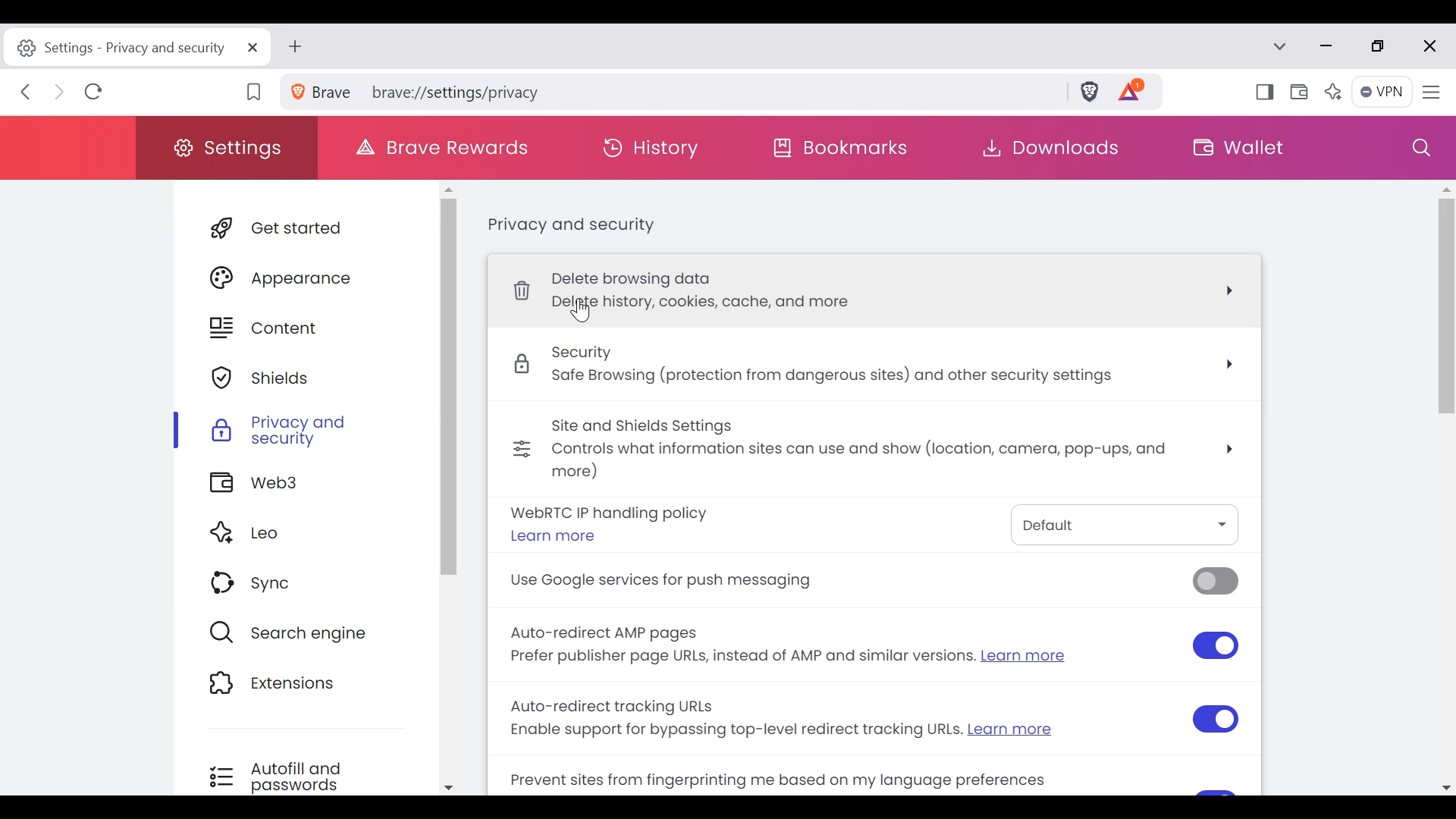 This screenshot has width=1456, height=819. What do you see at coordinates (136, 48) in the screenshot?
I see `Settings-privacy and security` at bounding box center [136, 48].